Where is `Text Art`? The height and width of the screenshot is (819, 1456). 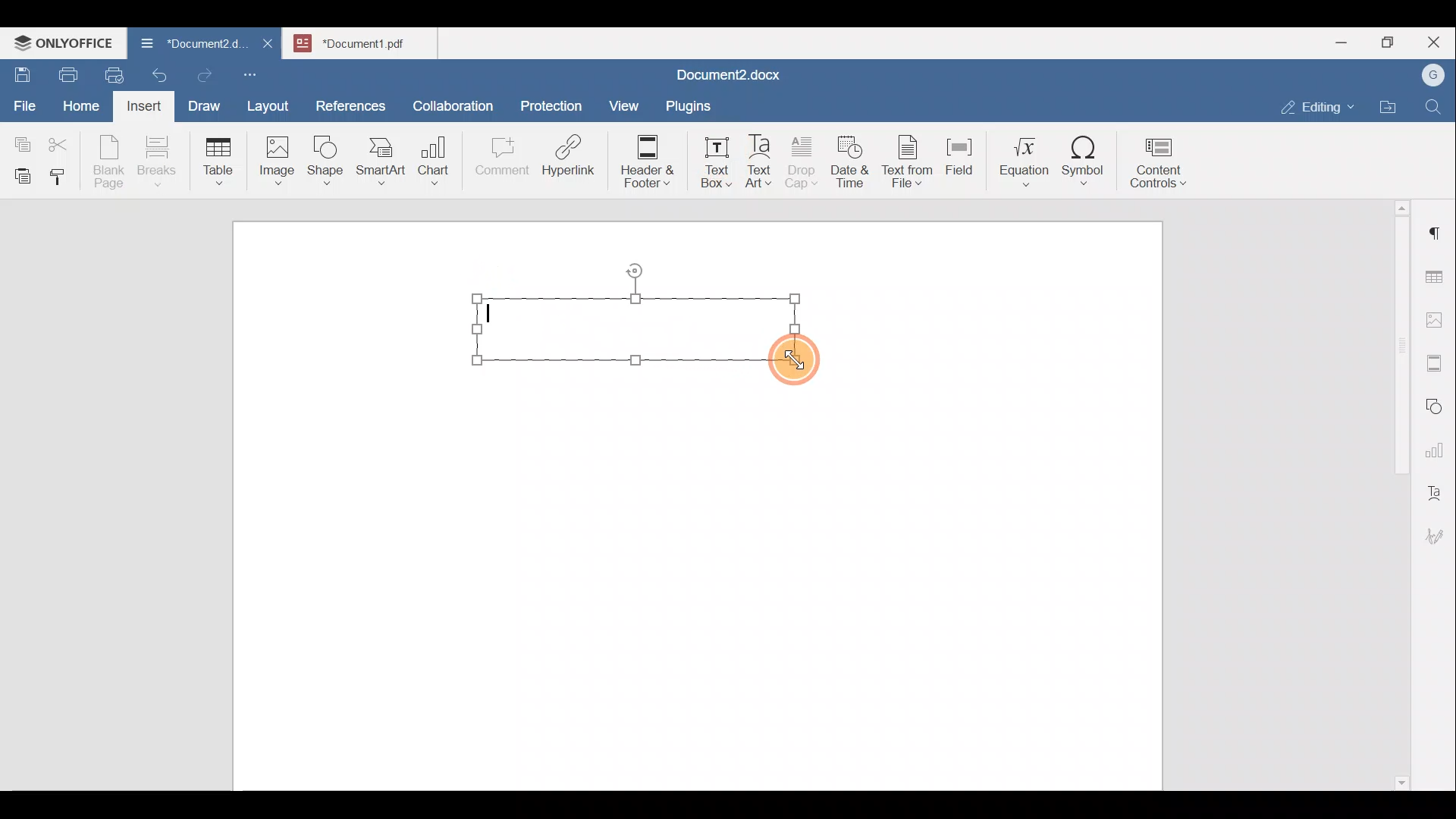 Text Art is located at coordinates (760, 162).